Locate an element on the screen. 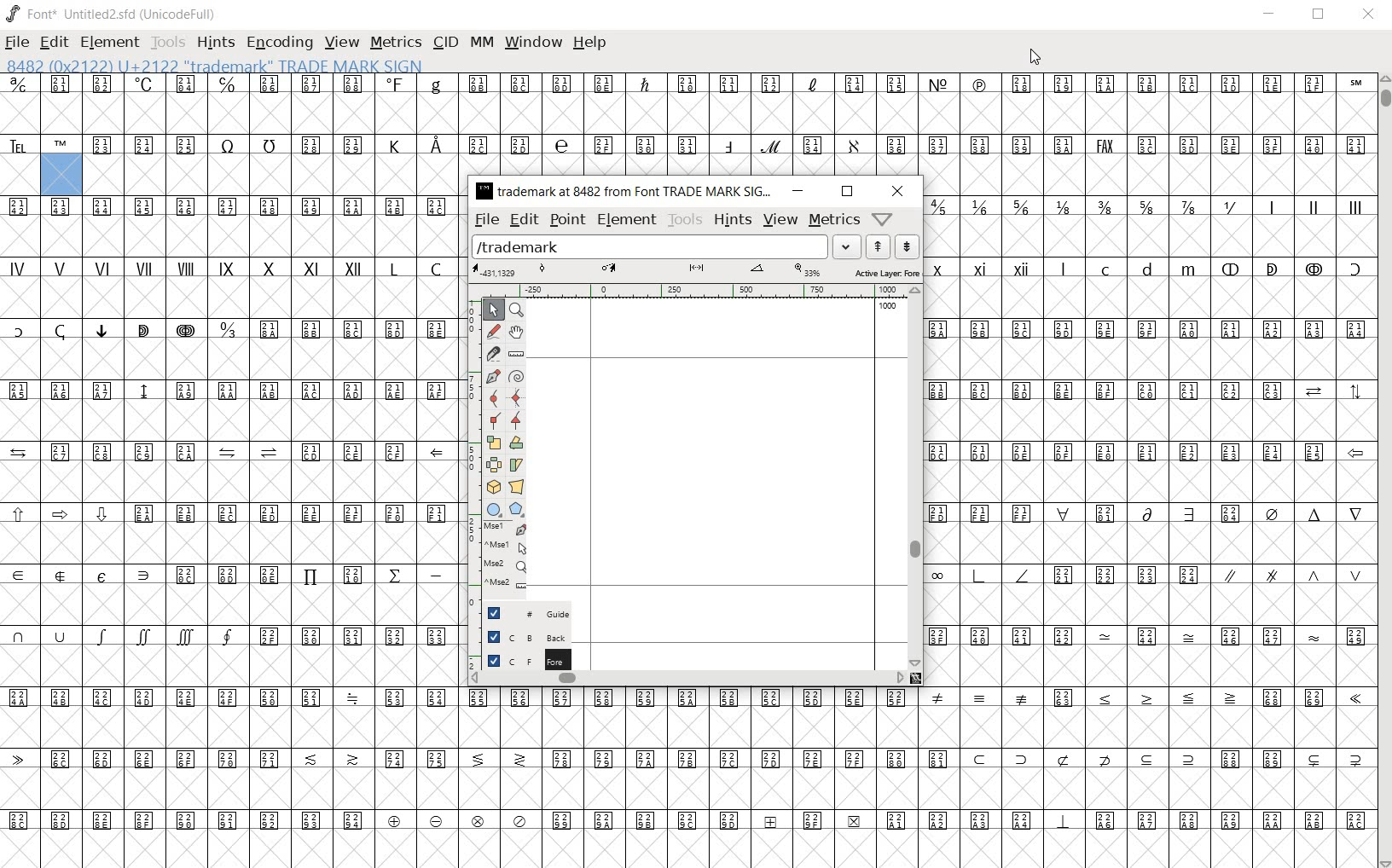 This screenshot has width=1392, height=868. flip the selection is located at coordinates (494, 465).